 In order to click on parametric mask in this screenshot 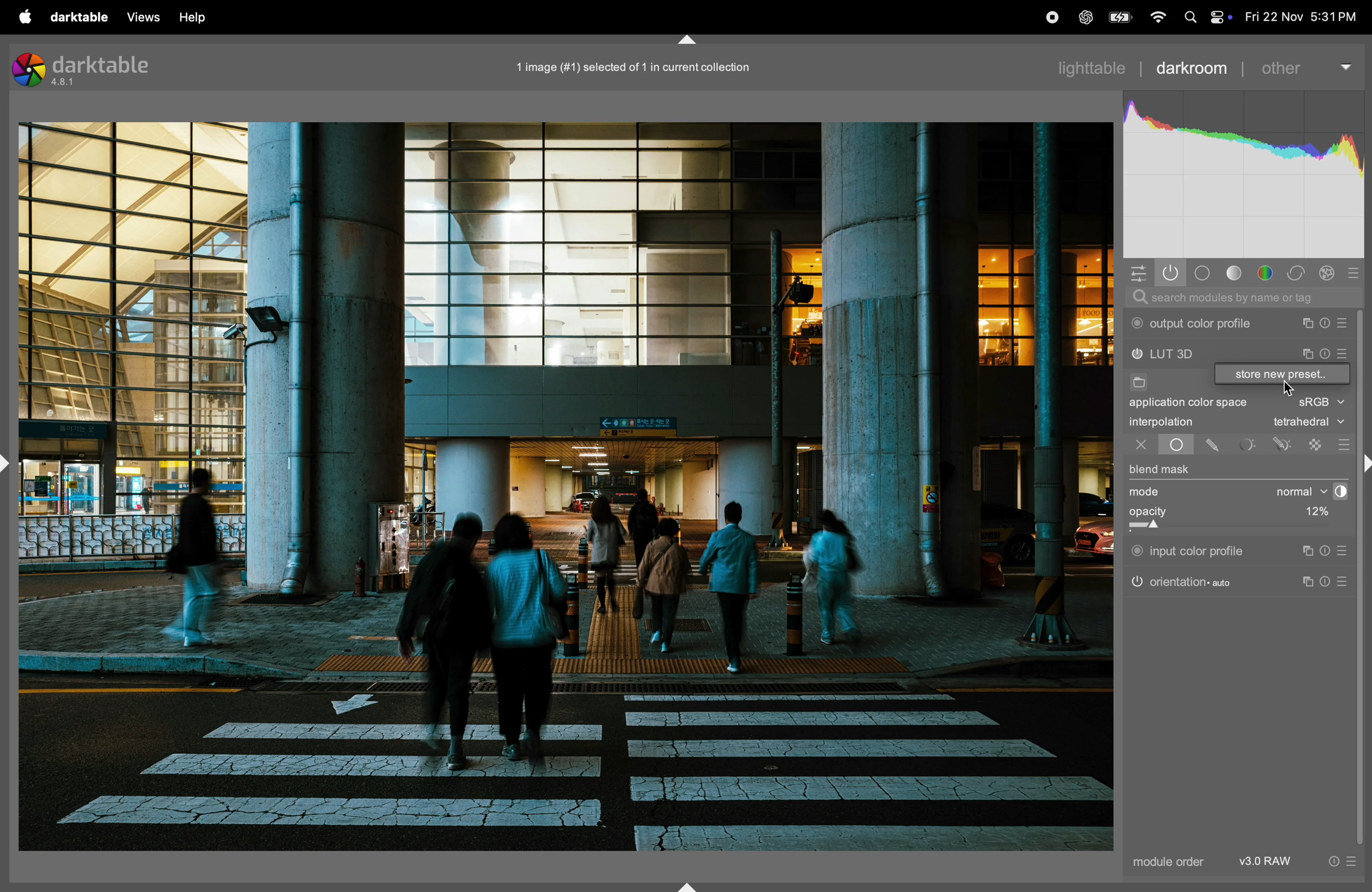, I will do `click(1248, 444)`.